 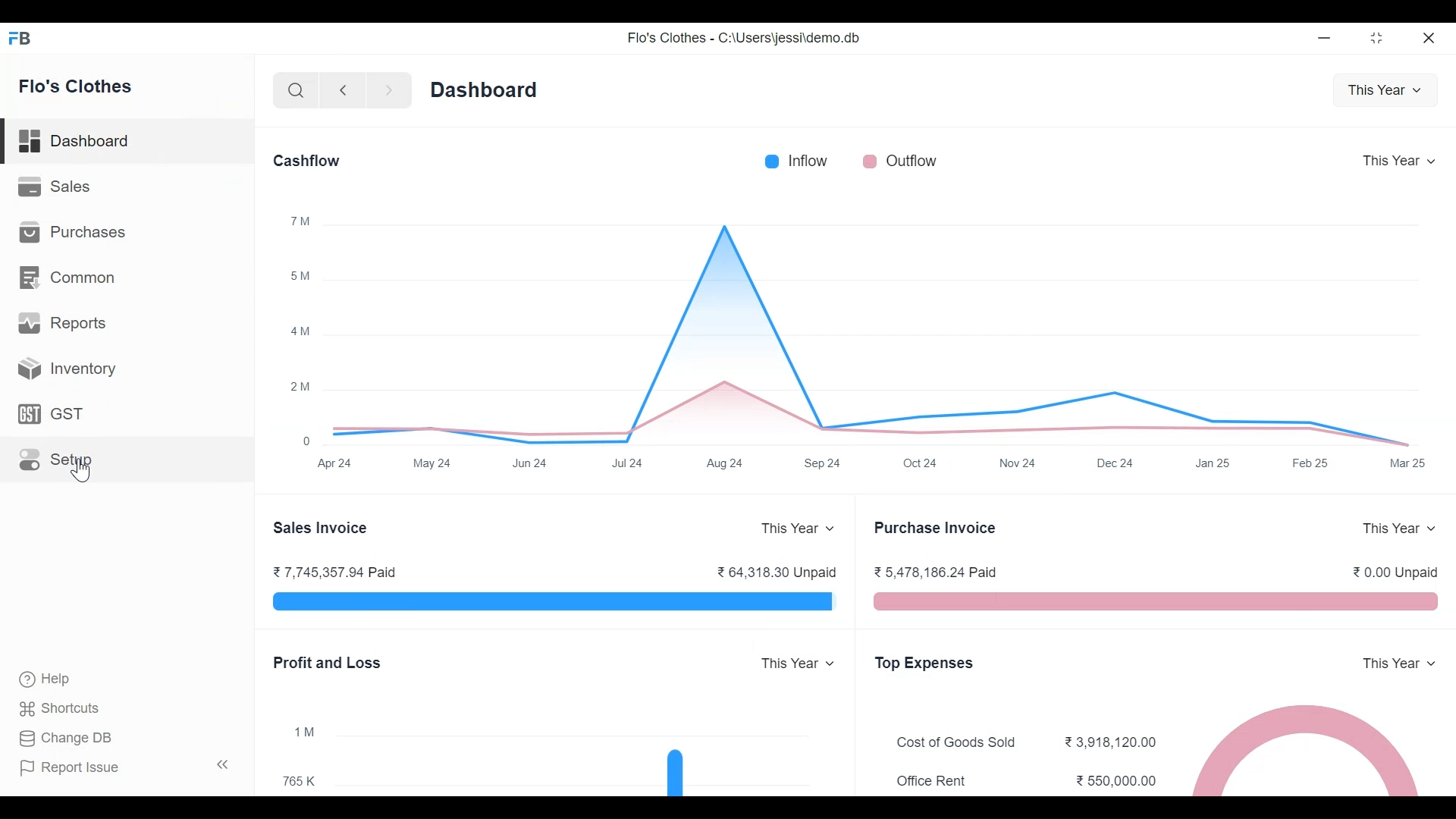 What do you see at coordinates (65, 326) in the screenshot?
I see `Reports` at bounding box center [65, 326].